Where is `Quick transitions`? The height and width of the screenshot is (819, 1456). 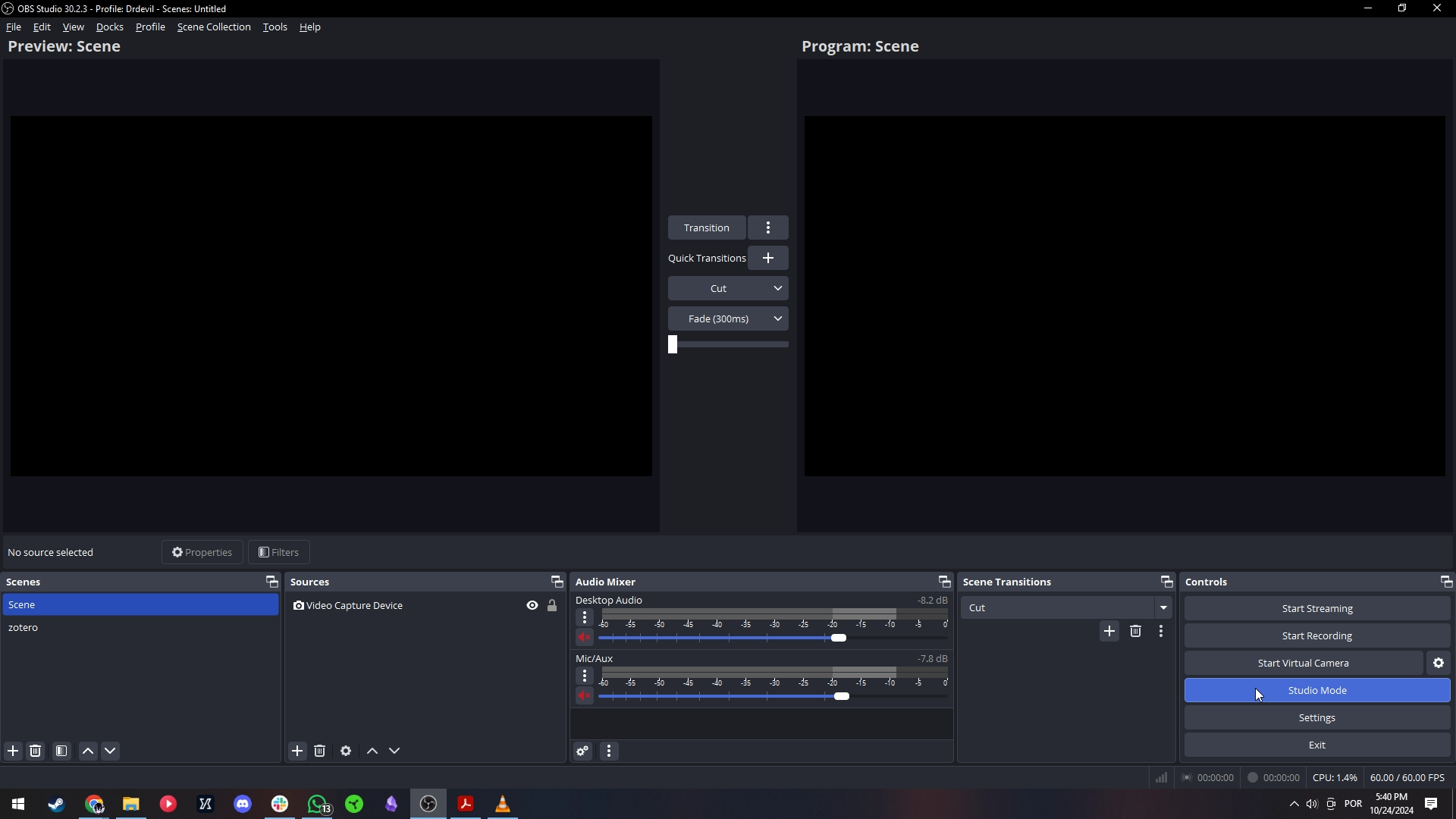
Quick transitions is located at coordinates (704, 260).